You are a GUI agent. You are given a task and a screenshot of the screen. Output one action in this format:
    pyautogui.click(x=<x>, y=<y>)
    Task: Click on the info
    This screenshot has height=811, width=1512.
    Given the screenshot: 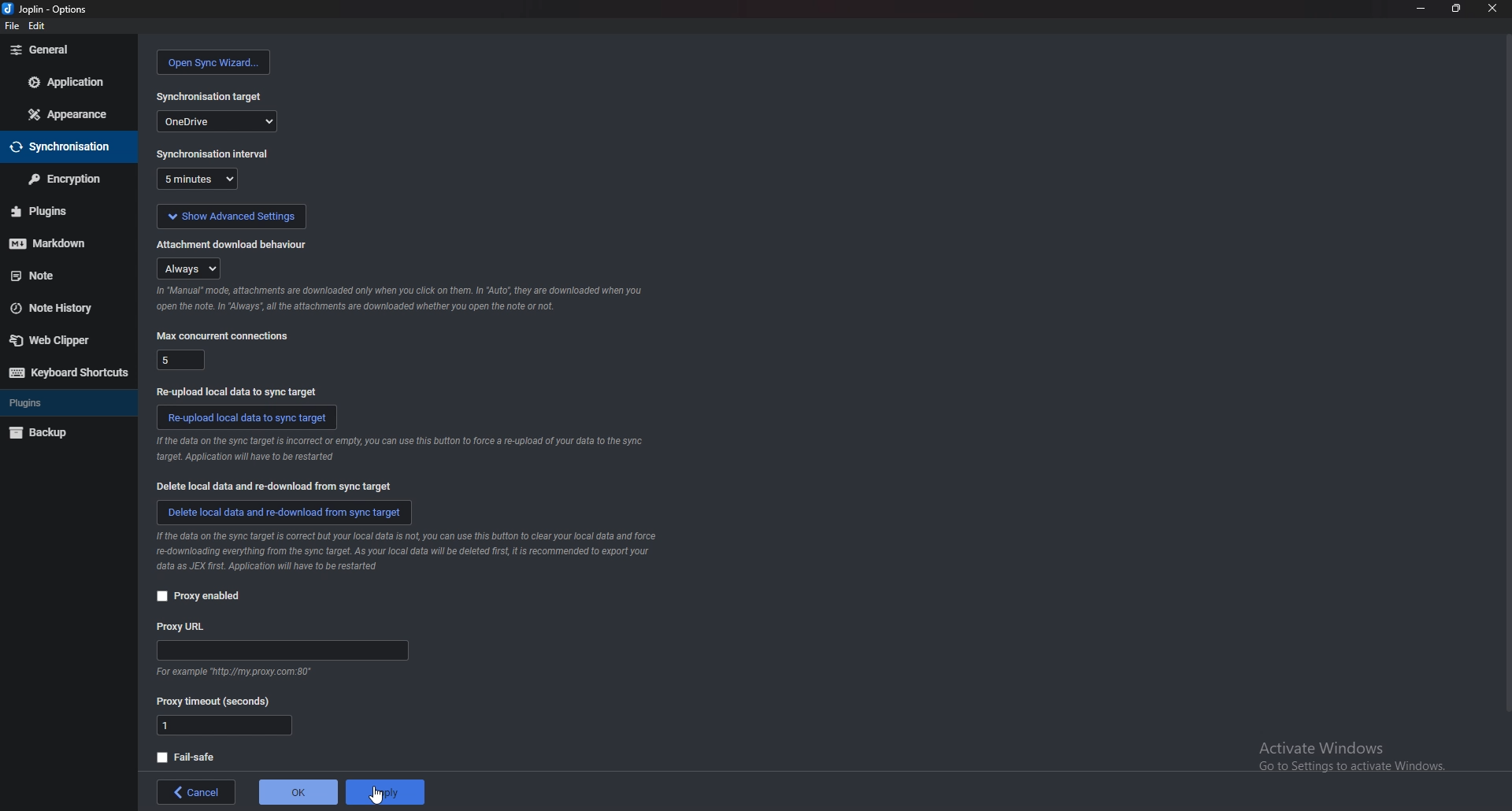 What is the action you would take?
    pyautogui.click(x=241, y=672)
    